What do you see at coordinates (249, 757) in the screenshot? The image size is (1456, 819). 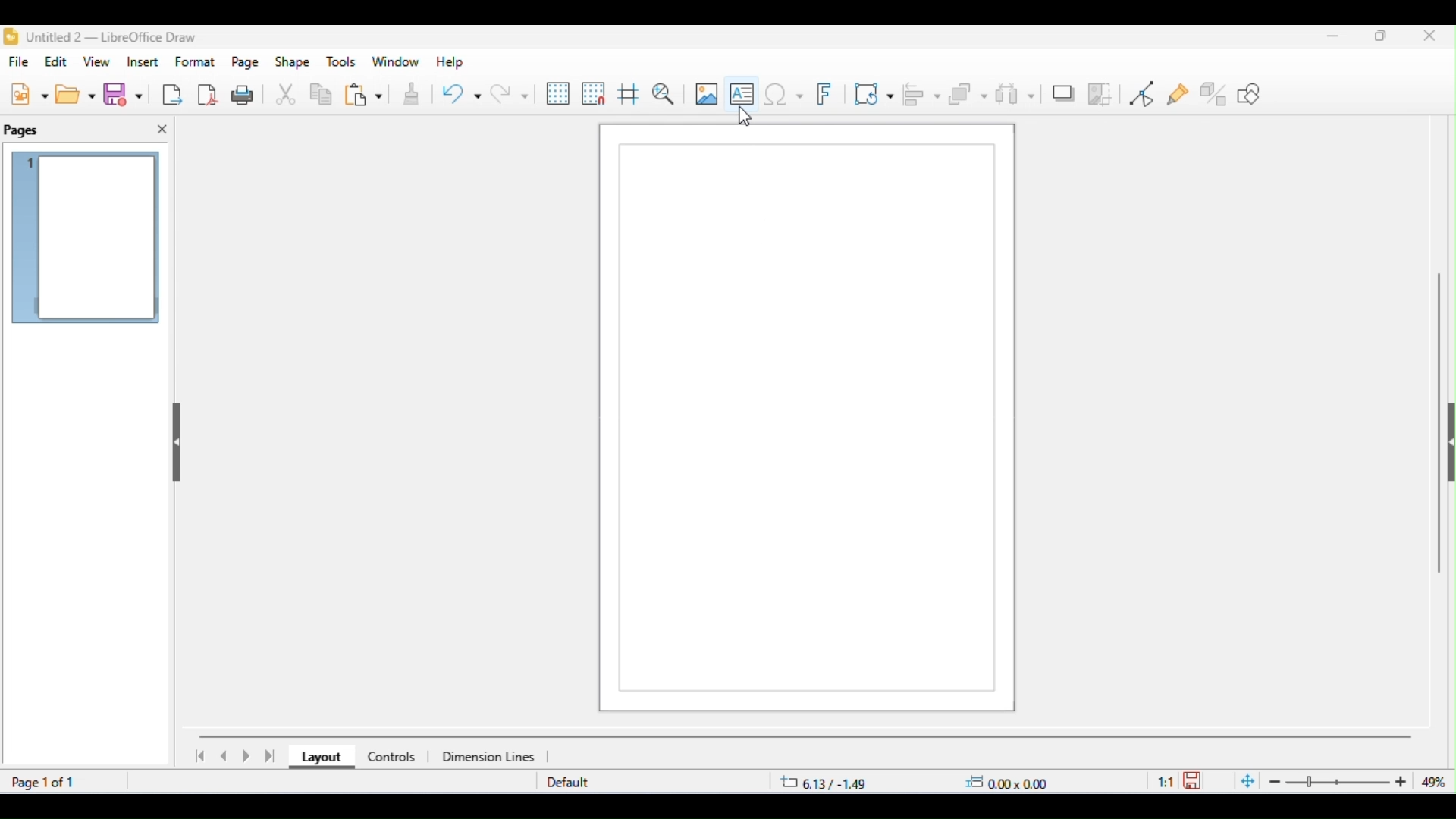 I see `next page` at bounding box center [249, 757].